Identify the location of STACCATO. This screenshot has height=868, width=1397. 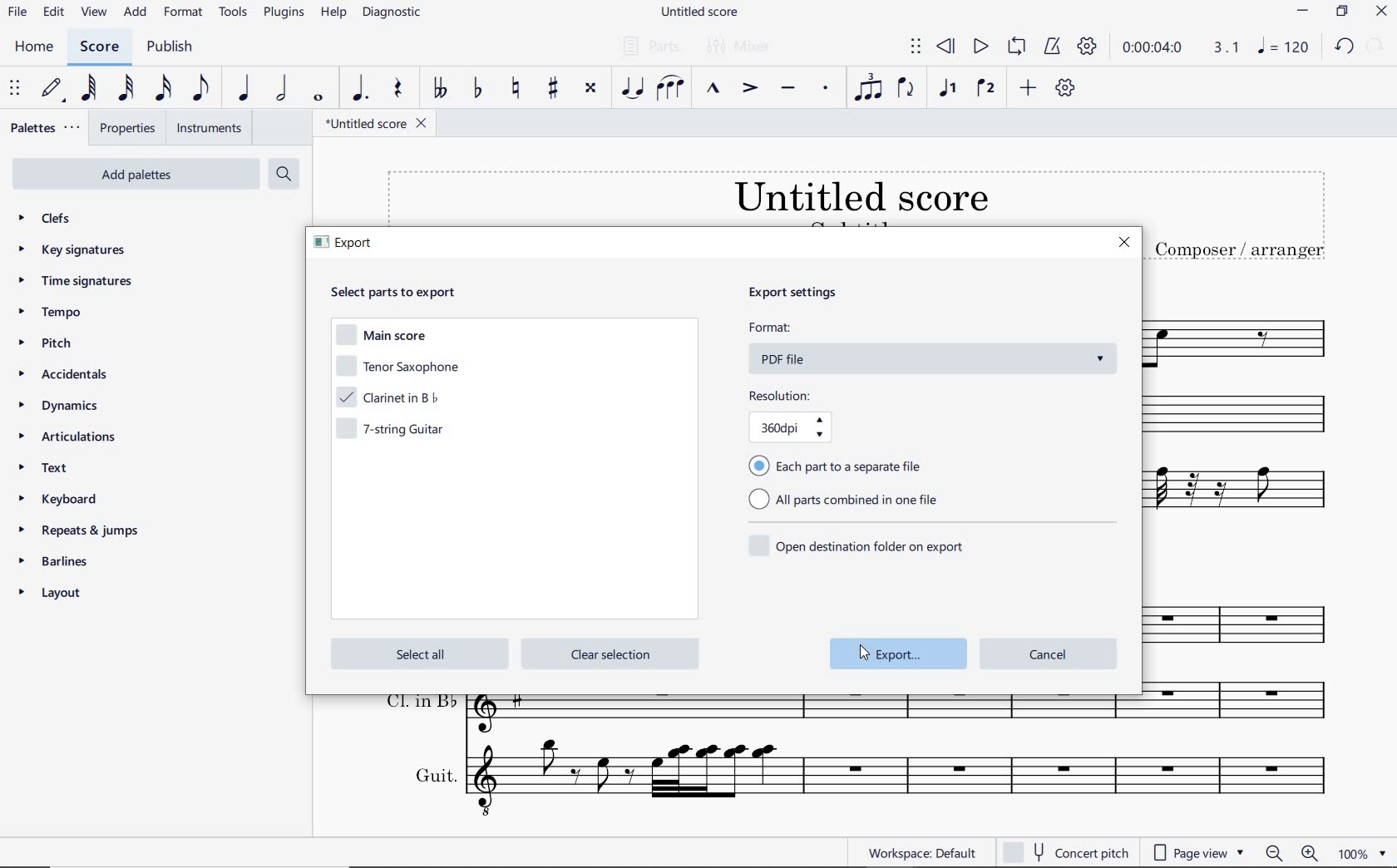
(827, 91).